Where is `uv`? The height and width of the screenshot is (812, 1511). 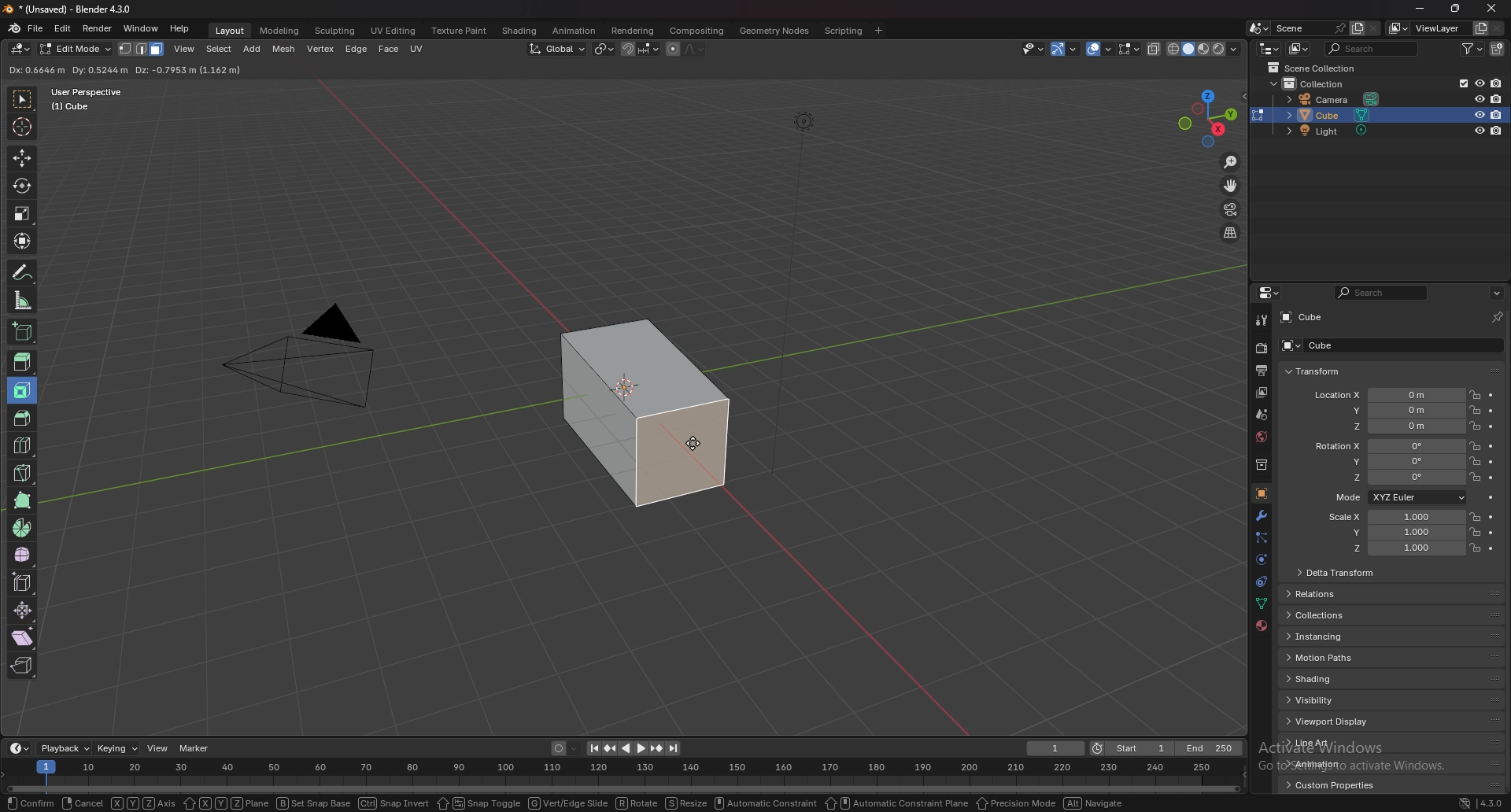
uv is located at coordinates (419, 49).